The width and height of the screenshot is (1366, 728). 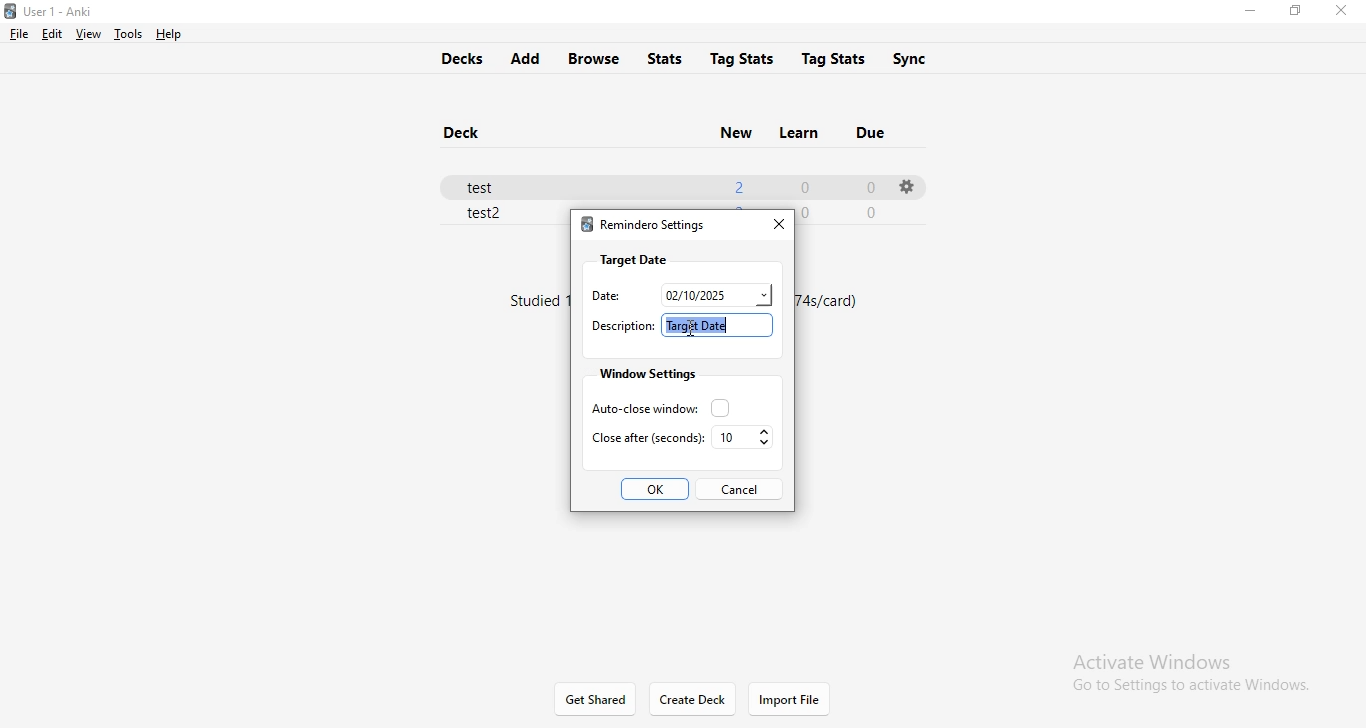 What do you see at coordinates (869, 188) in the screenshot?
I see `0` at bounding box center [869, 188].